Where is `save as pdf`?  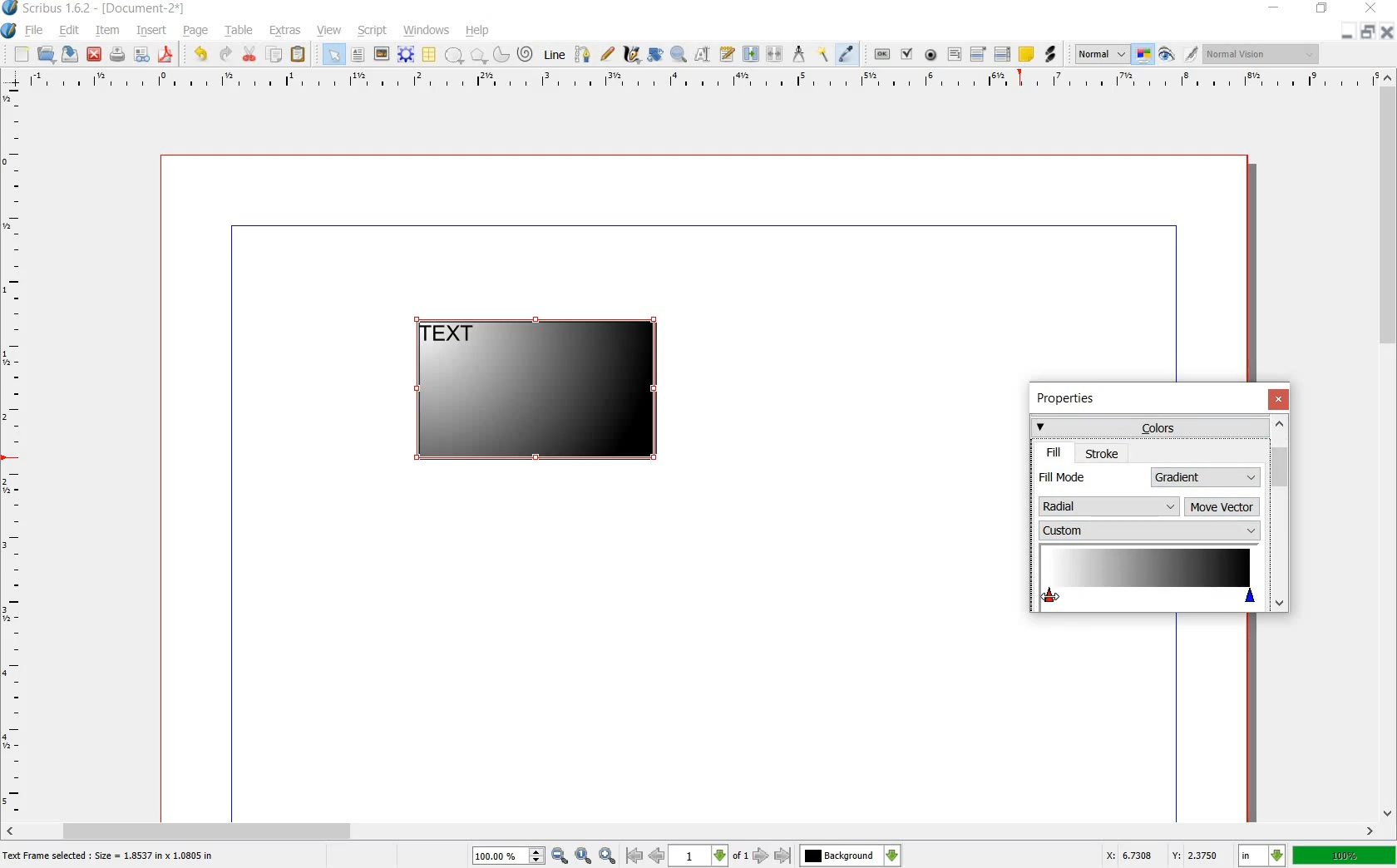 save as pdf is located at coordinates (165, 55).